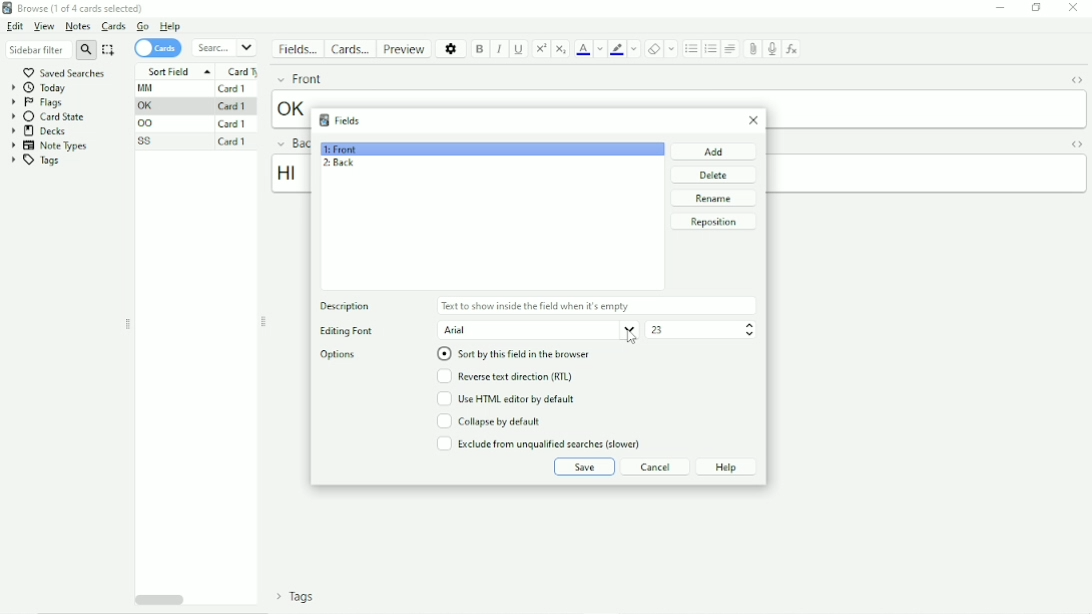  I want to click on Fields, so click(341, 119).